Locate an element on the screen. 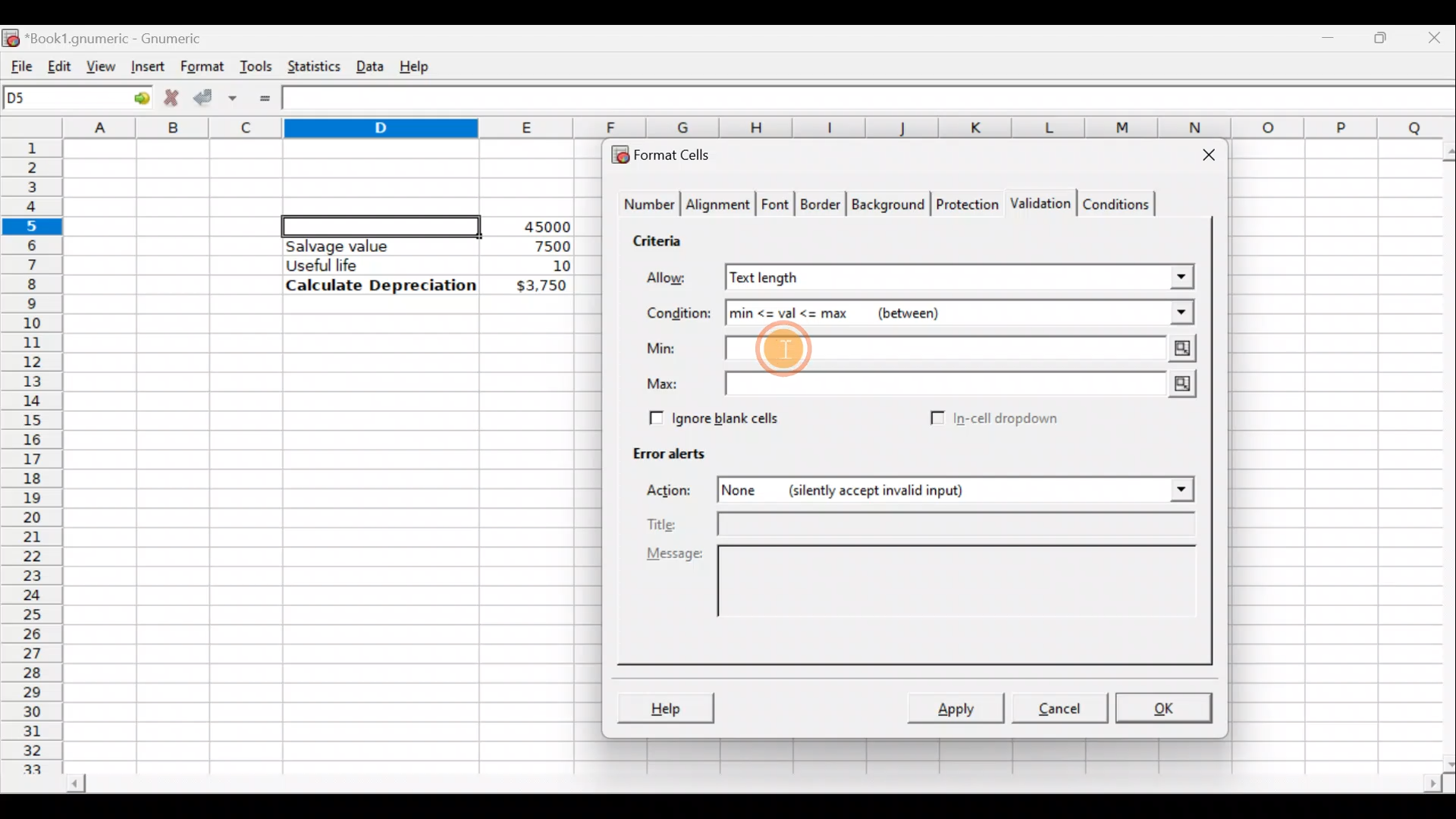  Cursor on min value is located at coordinates (787, 350).